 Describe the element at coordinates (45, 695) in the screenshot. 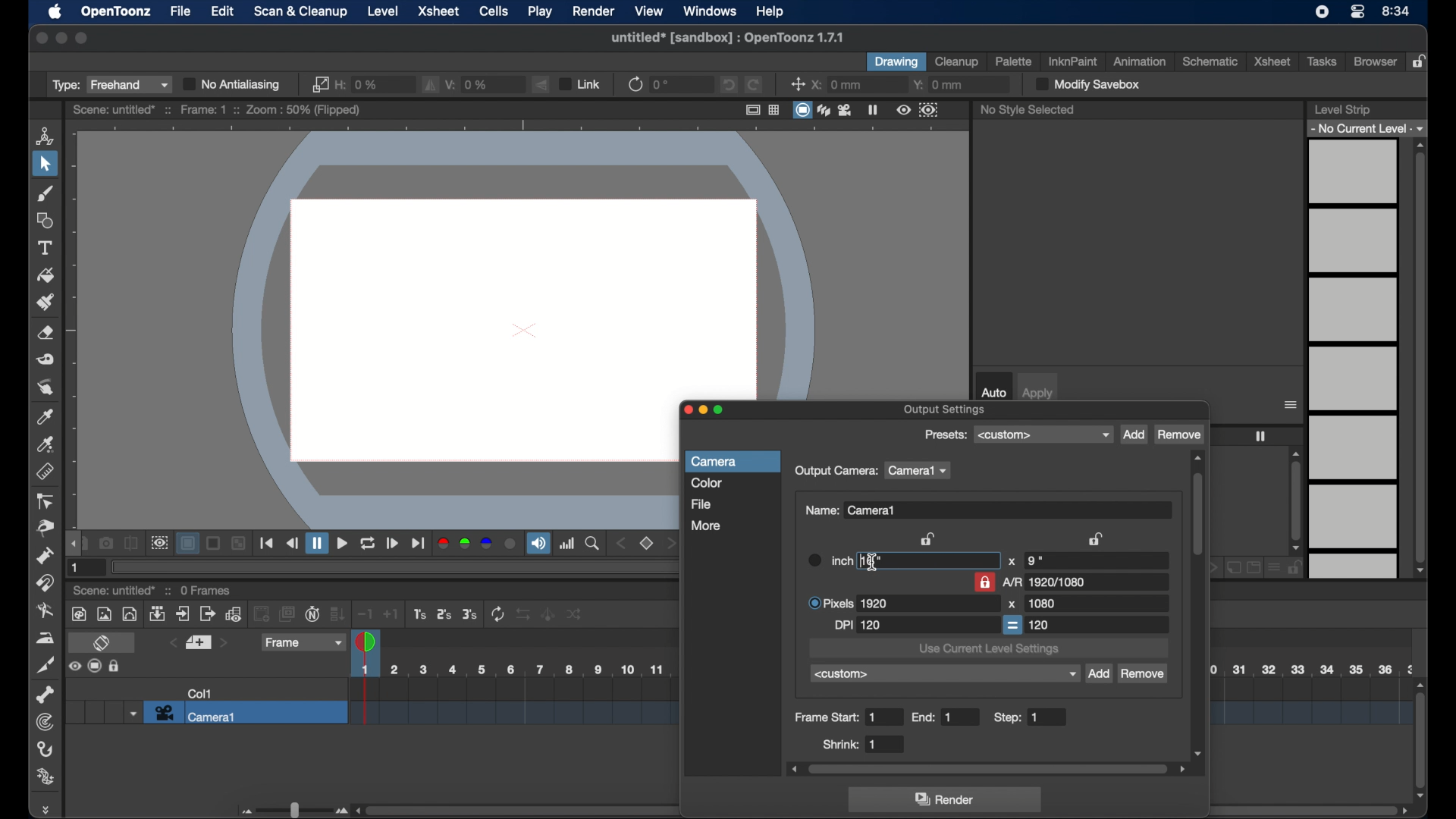

I see `skeleton tool` at that location.